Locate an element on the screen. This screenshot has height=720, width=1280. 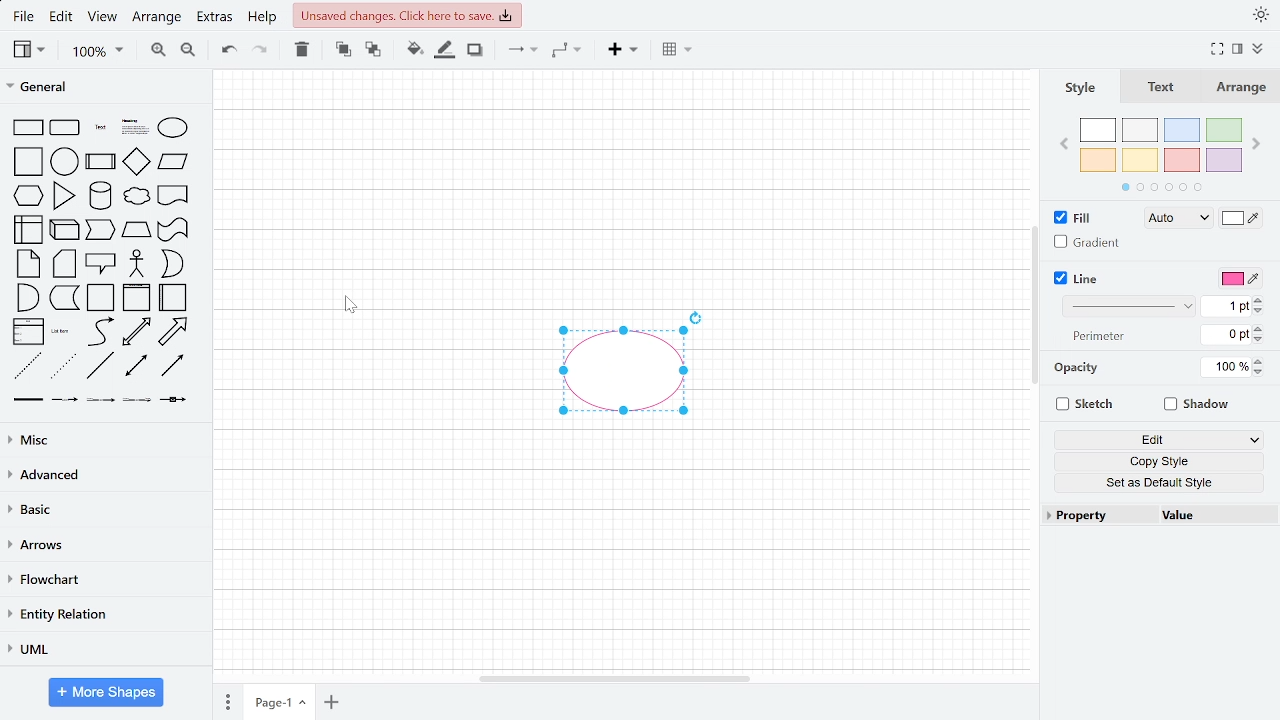
hexagon is located at coordinates (28, 196).